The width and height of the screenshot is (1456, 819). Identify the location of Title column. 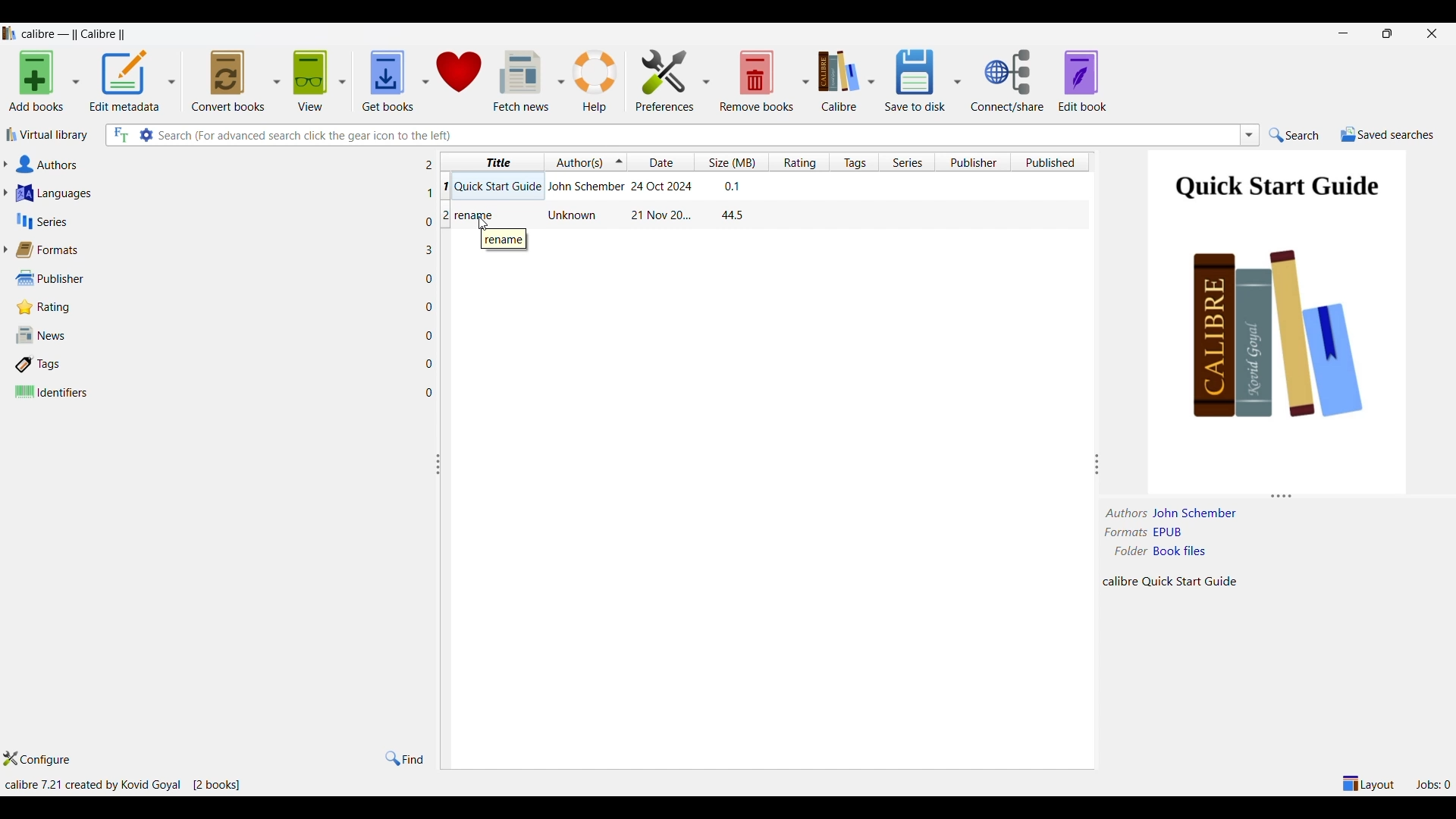
(491, 162).